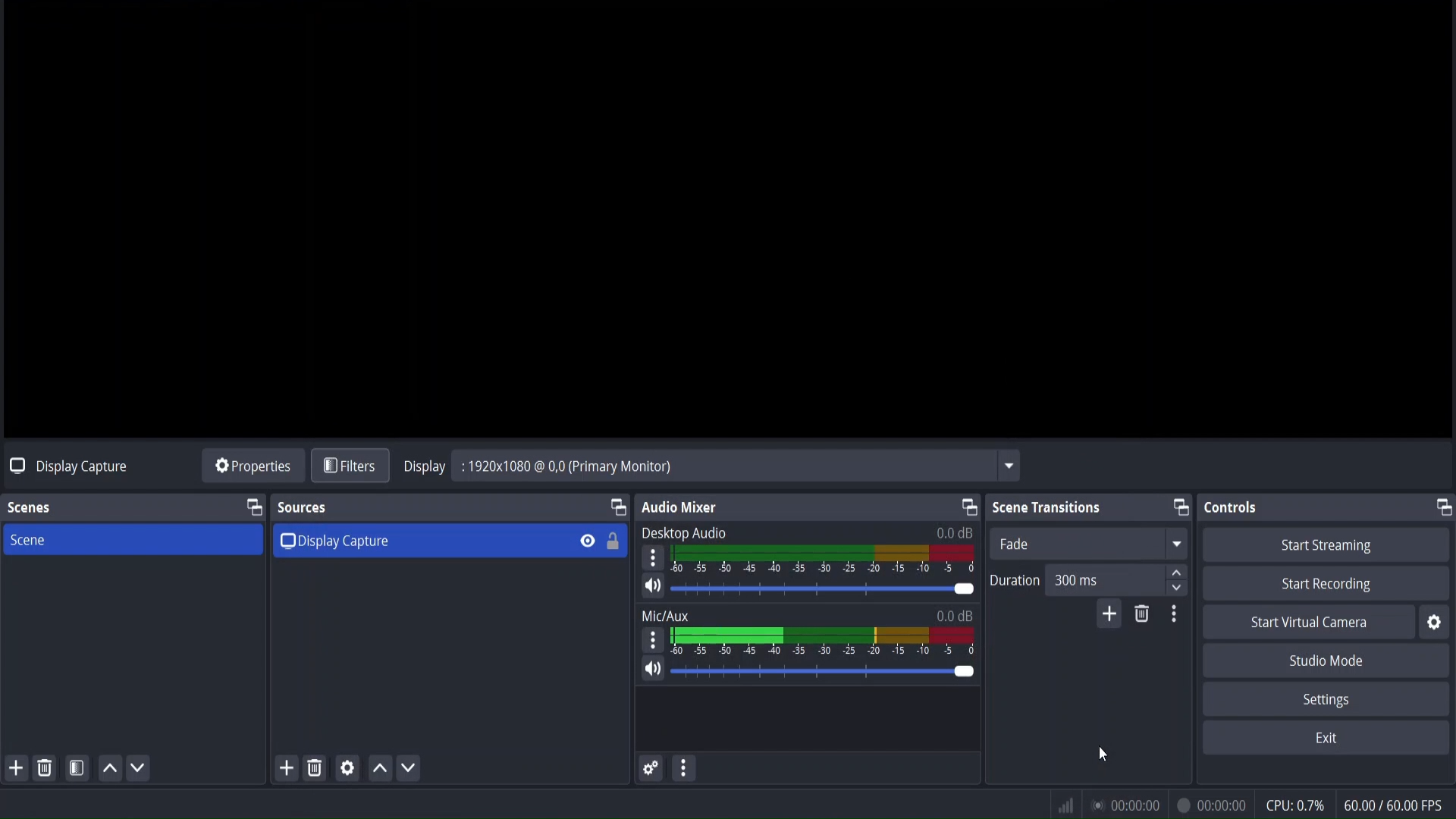  What do you see at coordinates (371, 468) in the screenshot?
I see `cursor` at bounding box center [371, 468].